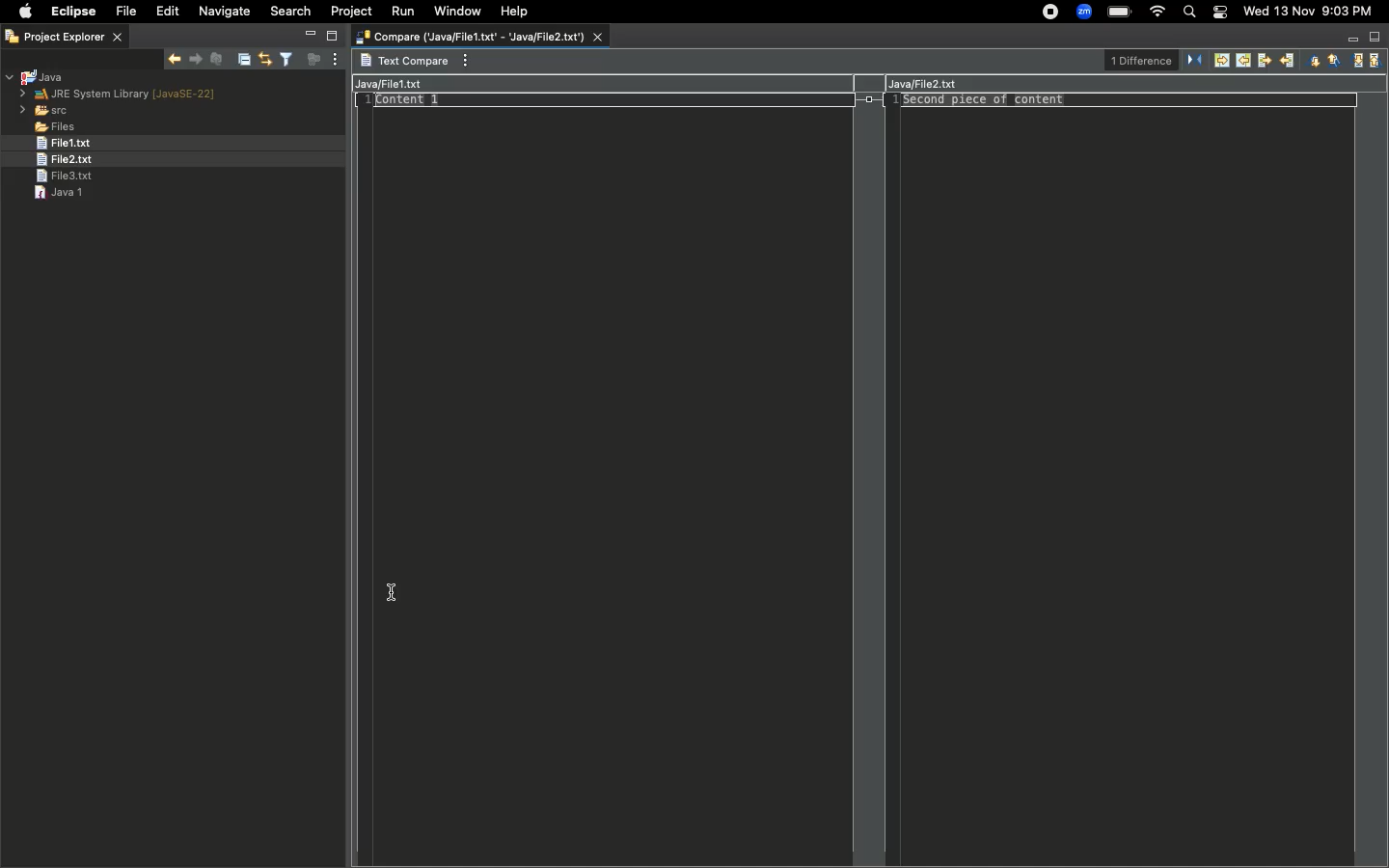  Describe the element at coordinates (61, 159) in the screenshot. I see `File 2.txt` at that location.